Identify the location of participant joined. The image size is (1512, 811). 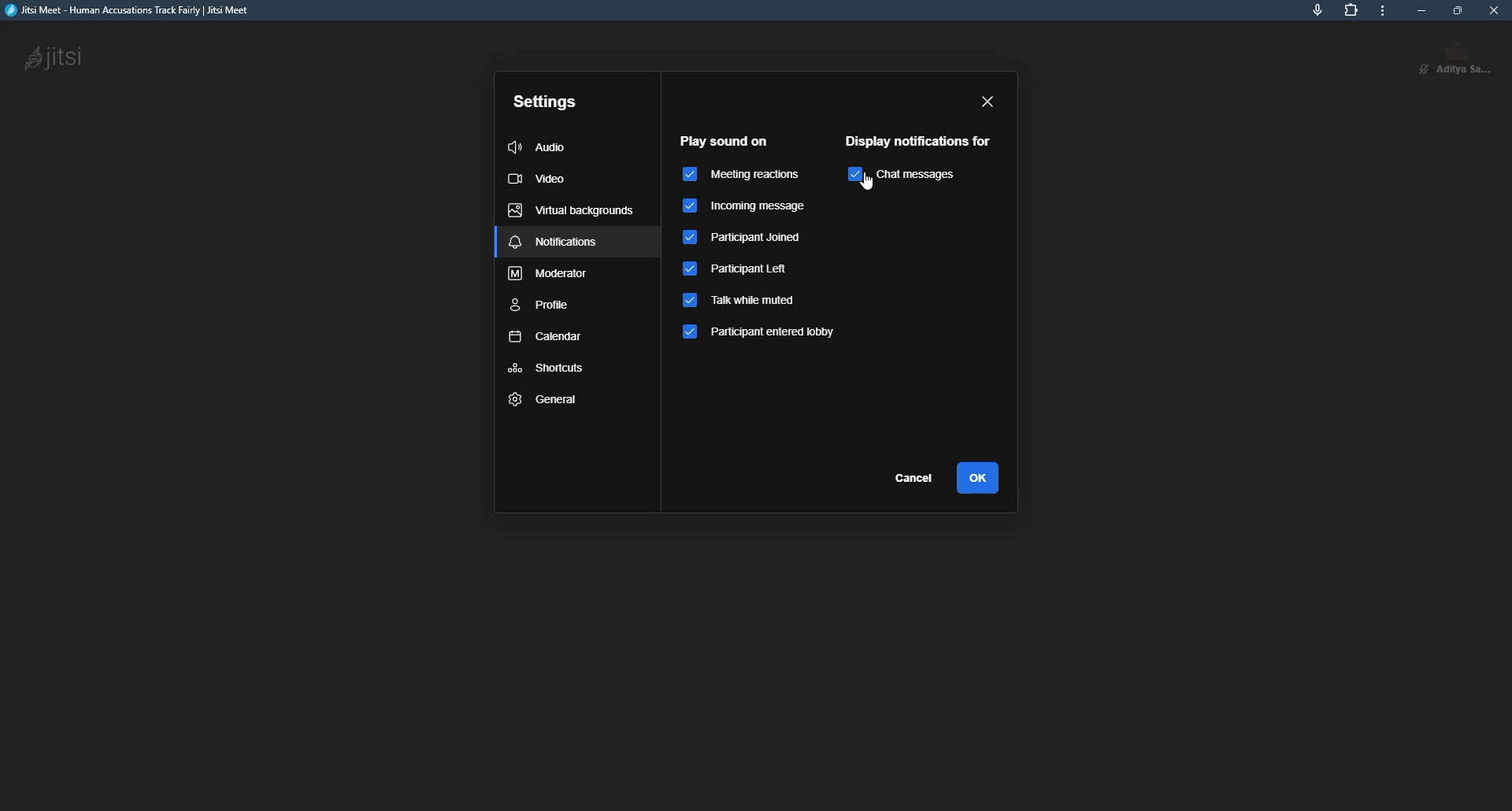
(742, 237).